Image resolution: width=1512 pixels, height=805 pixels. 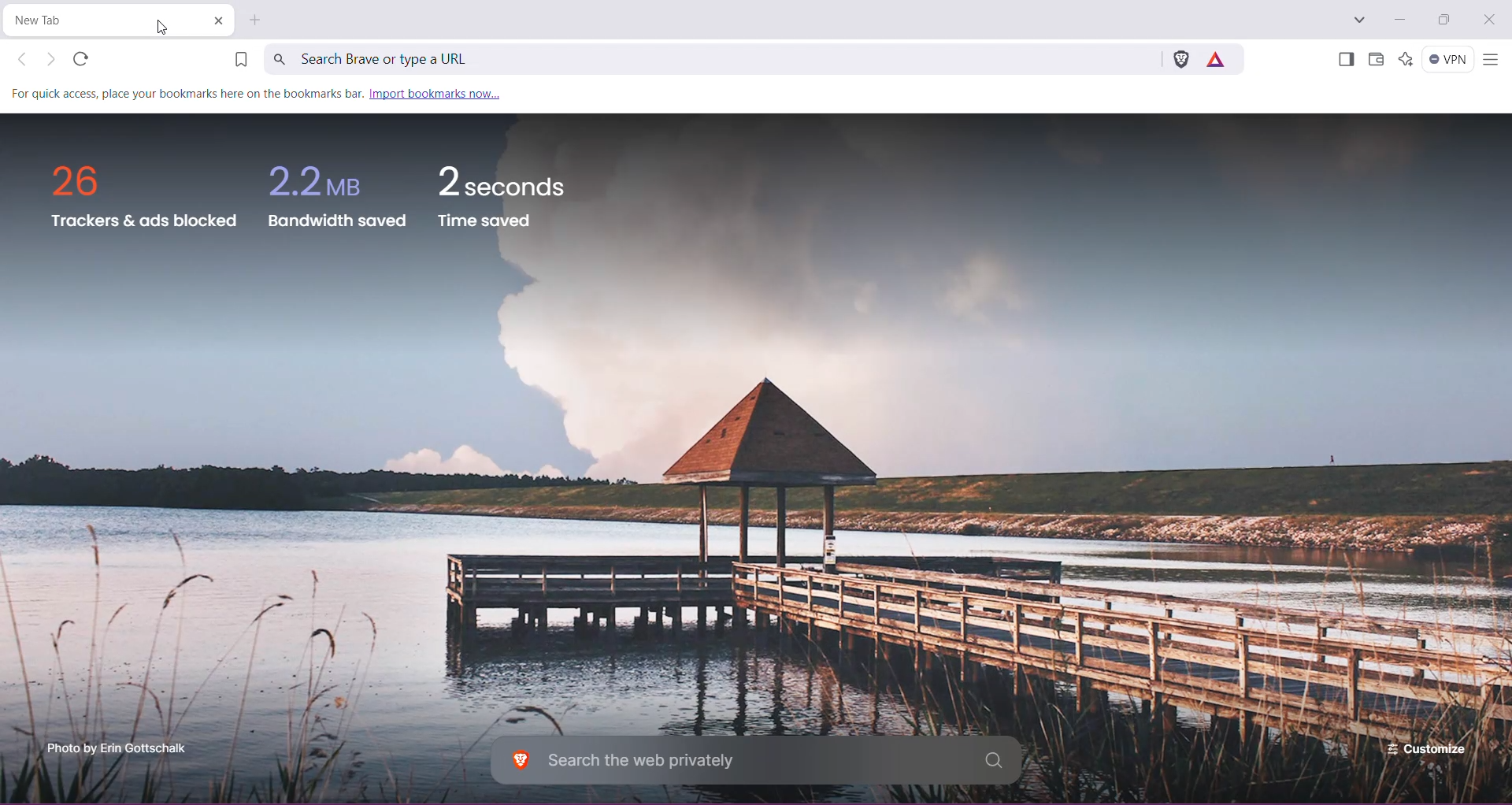 I want to click on trackers and ads blocked, so click(x=145, y=198).